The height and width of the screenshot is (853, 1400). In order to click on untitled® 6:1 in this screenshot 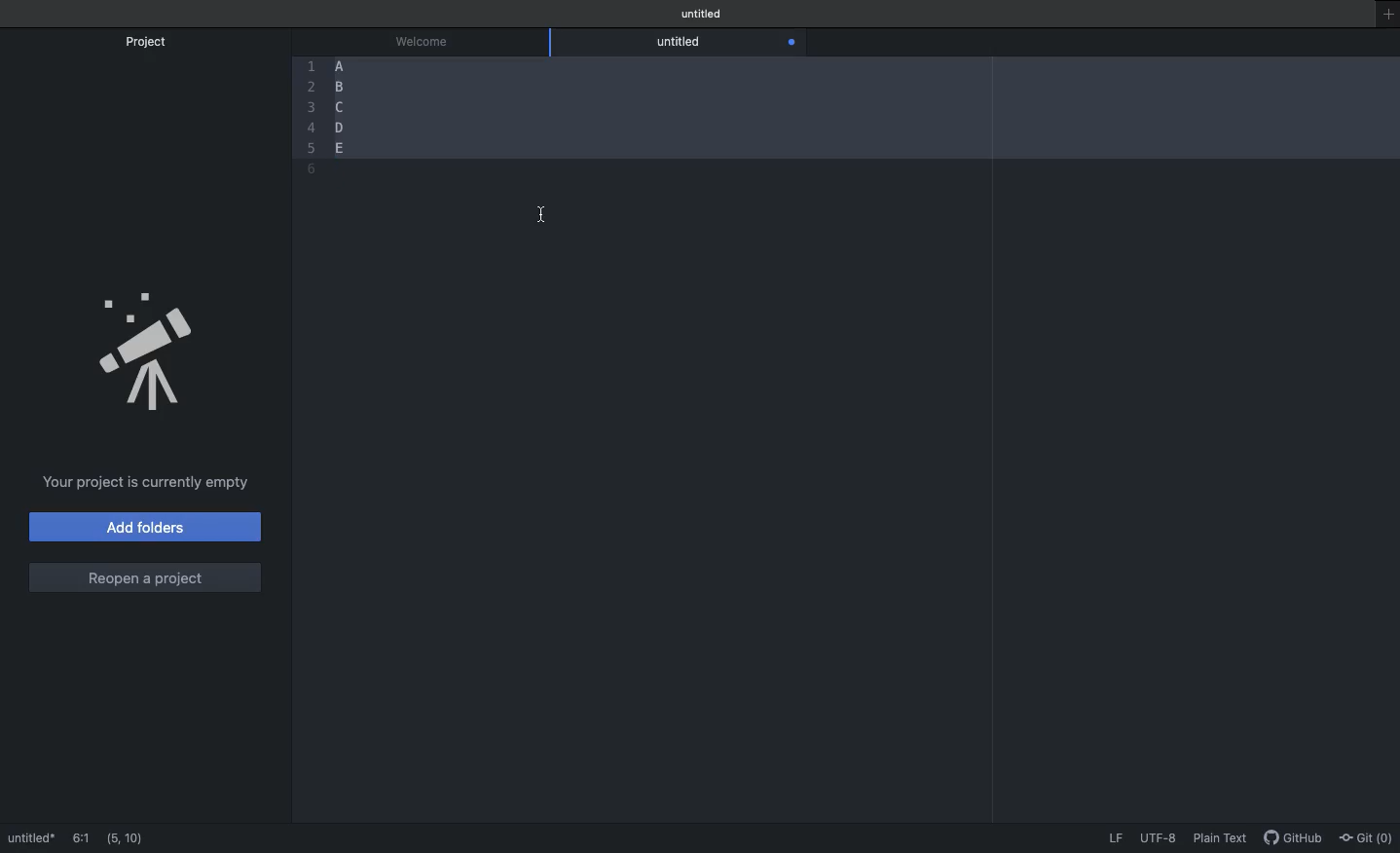, I will do `click(57, 838)`.